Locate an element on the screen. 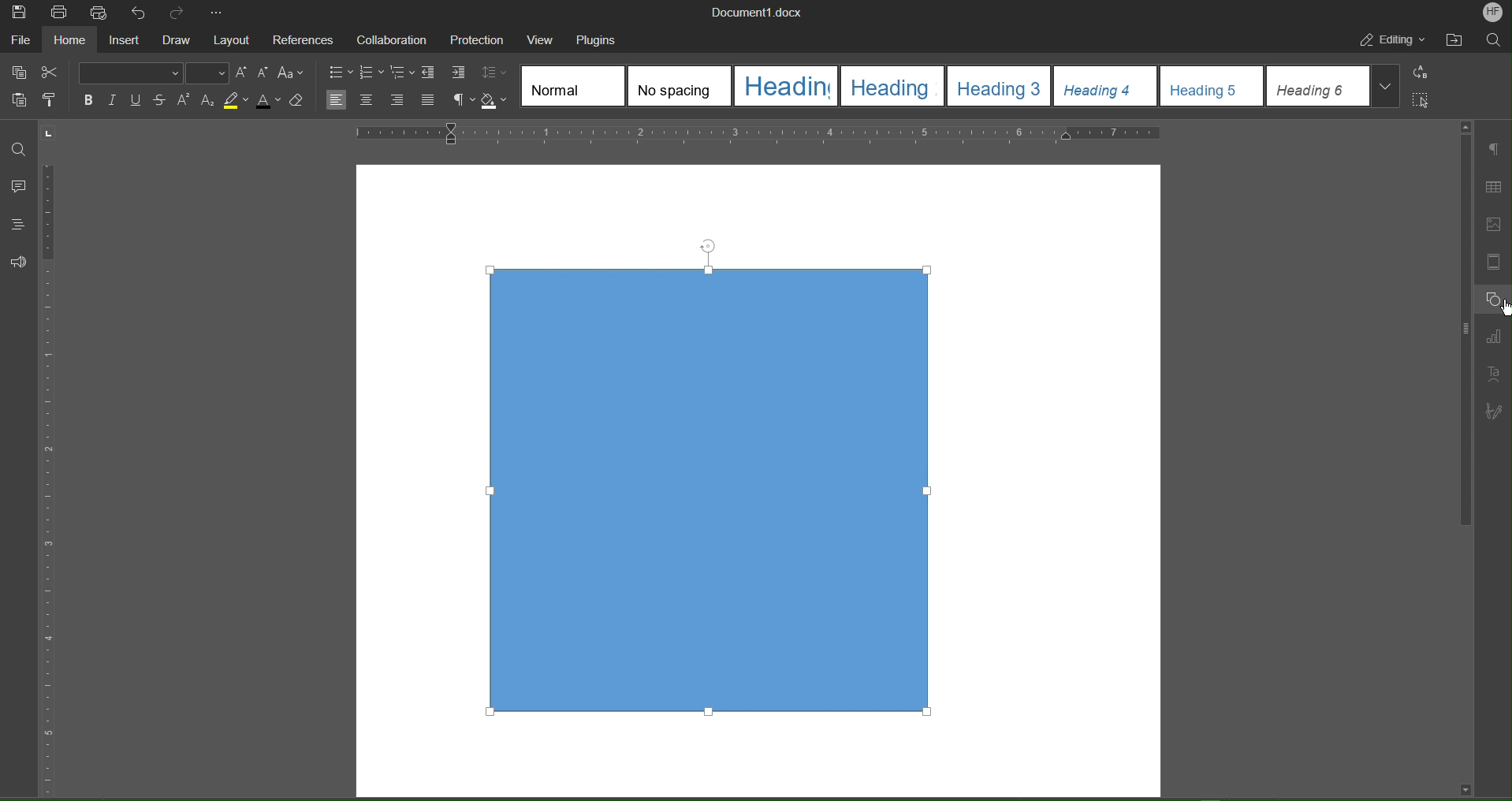 This screenshot has width=1512, height=801. Home is located at coordinates (67, 40).